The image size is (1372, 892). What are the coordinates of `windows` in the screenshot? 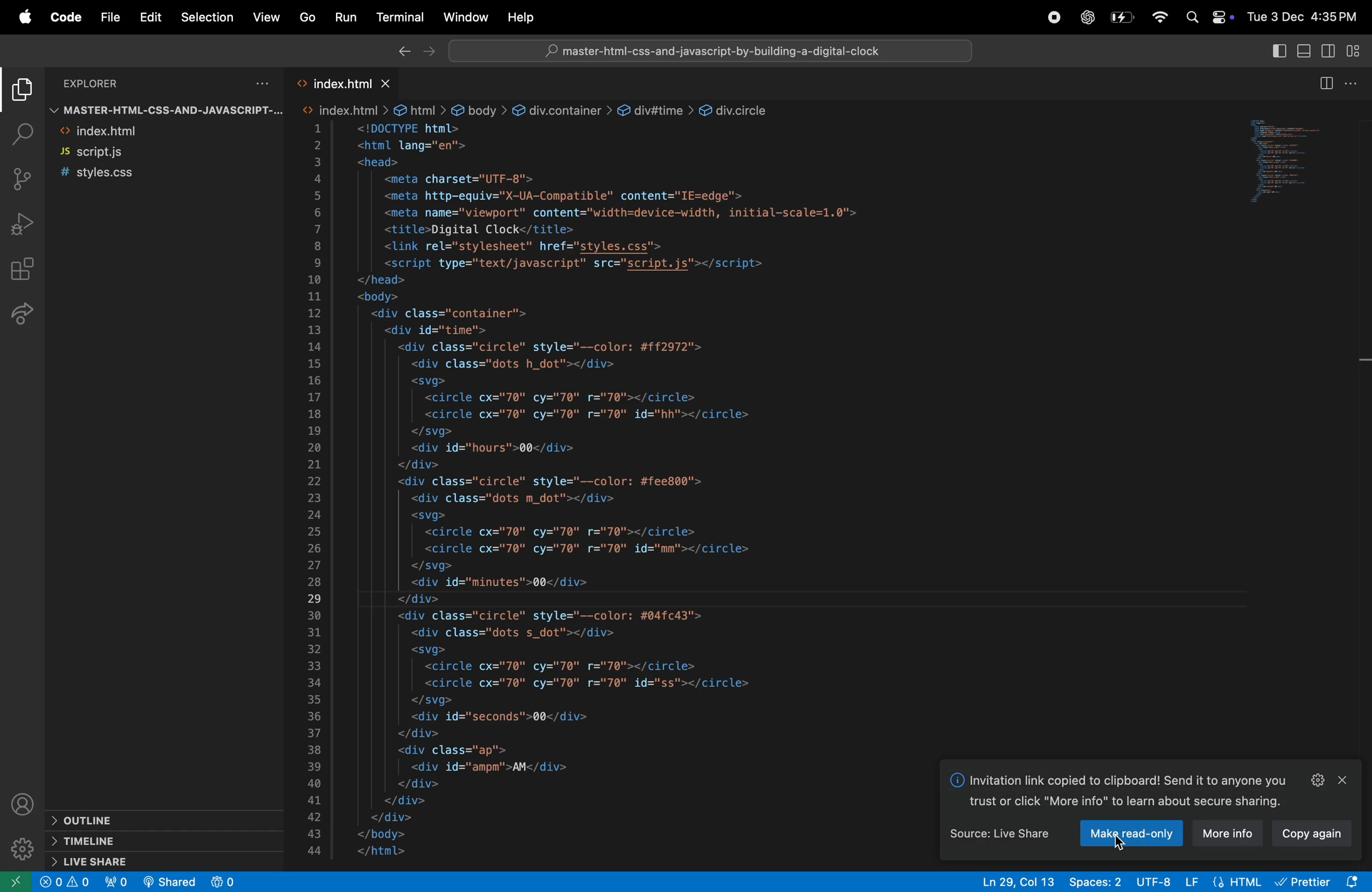 It's located at (467, 17).